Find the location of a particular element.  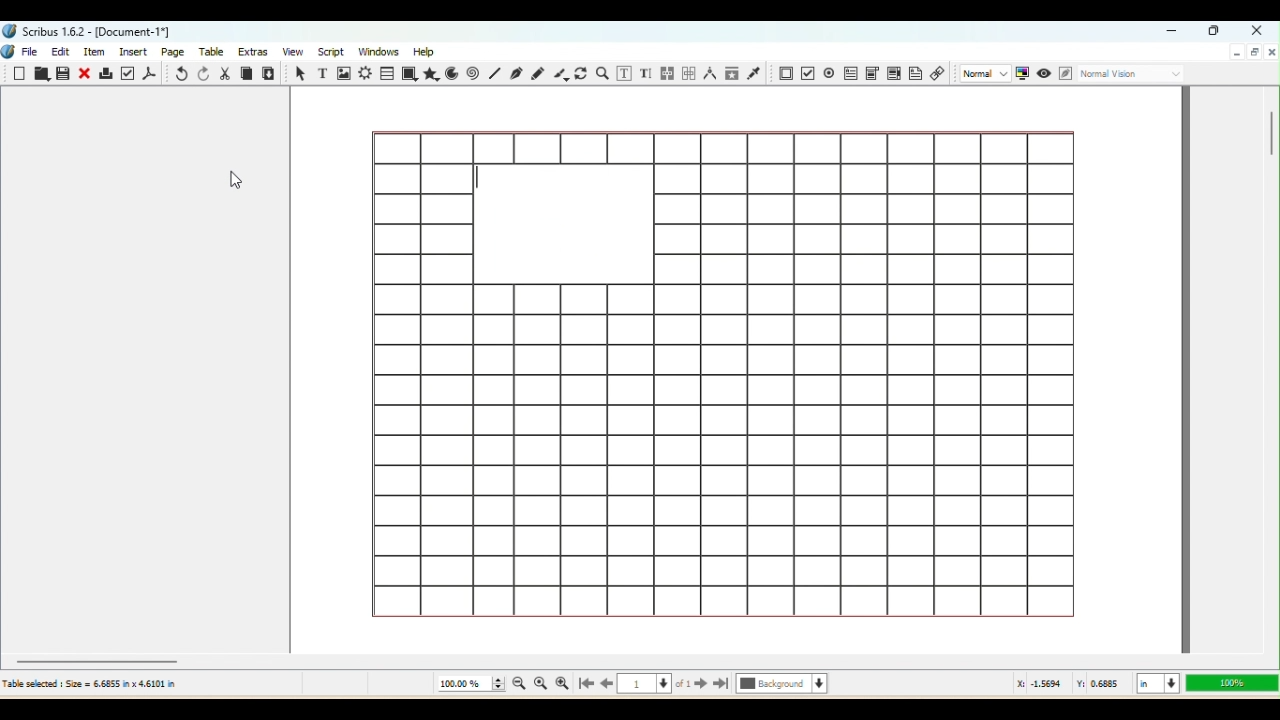

File is located at coordinates (33, 50).